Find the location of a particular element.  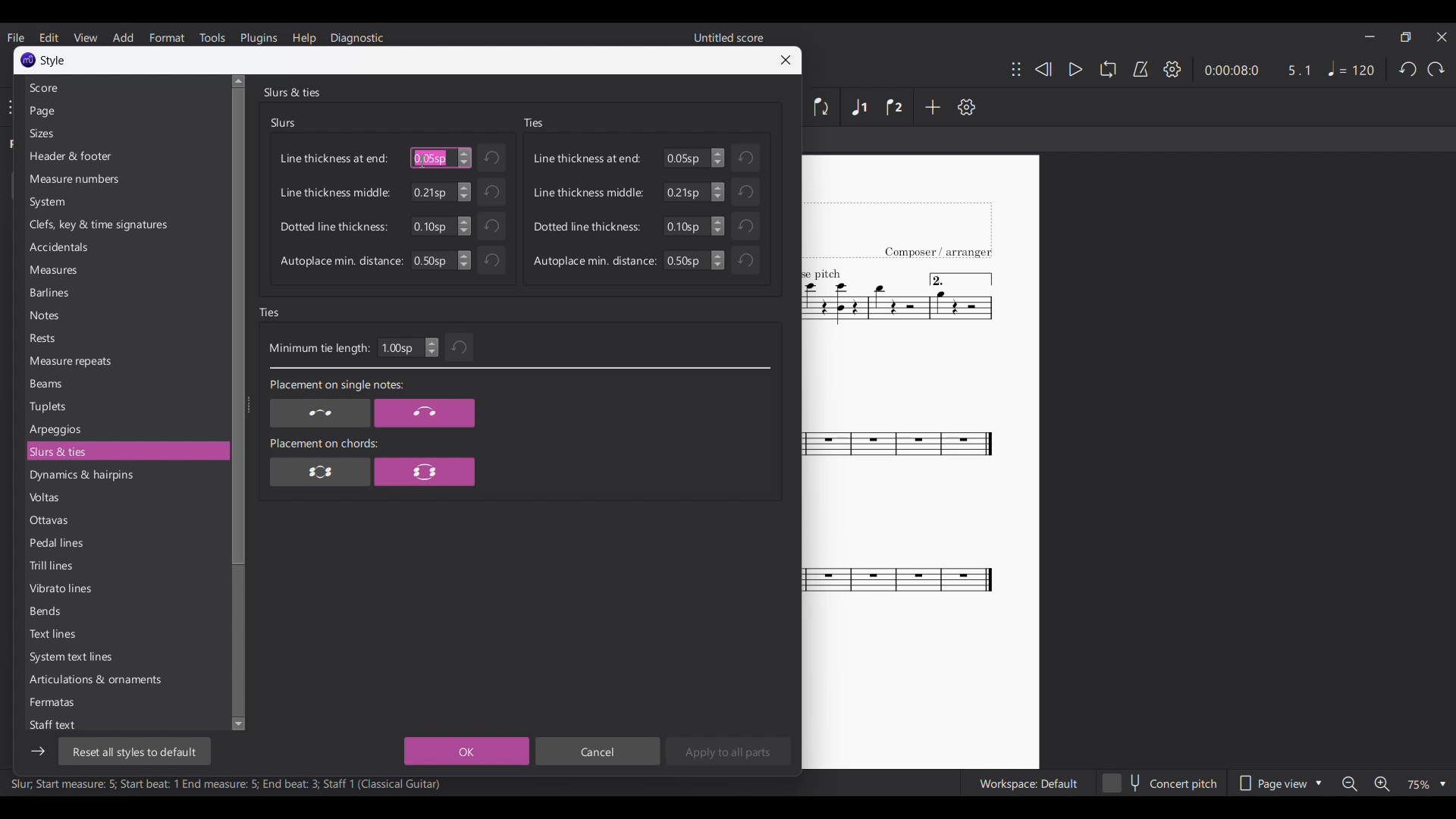

Rests is located at coordinates (125, 337).